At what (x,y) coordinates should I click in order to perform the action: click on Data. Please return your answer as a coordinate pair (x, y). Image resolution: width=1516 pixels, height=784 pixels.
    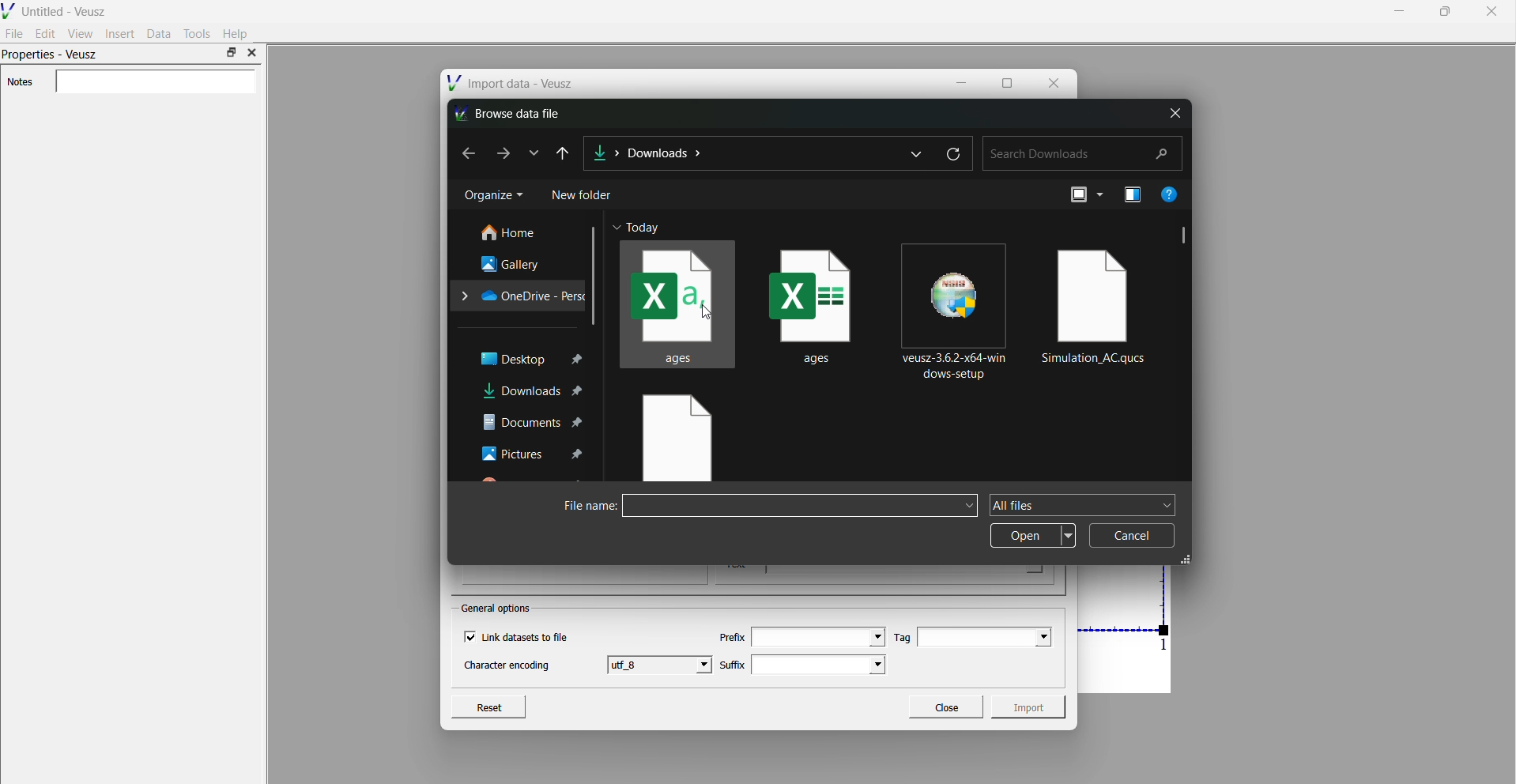
    Looking at the image, I should click on (159, 33).